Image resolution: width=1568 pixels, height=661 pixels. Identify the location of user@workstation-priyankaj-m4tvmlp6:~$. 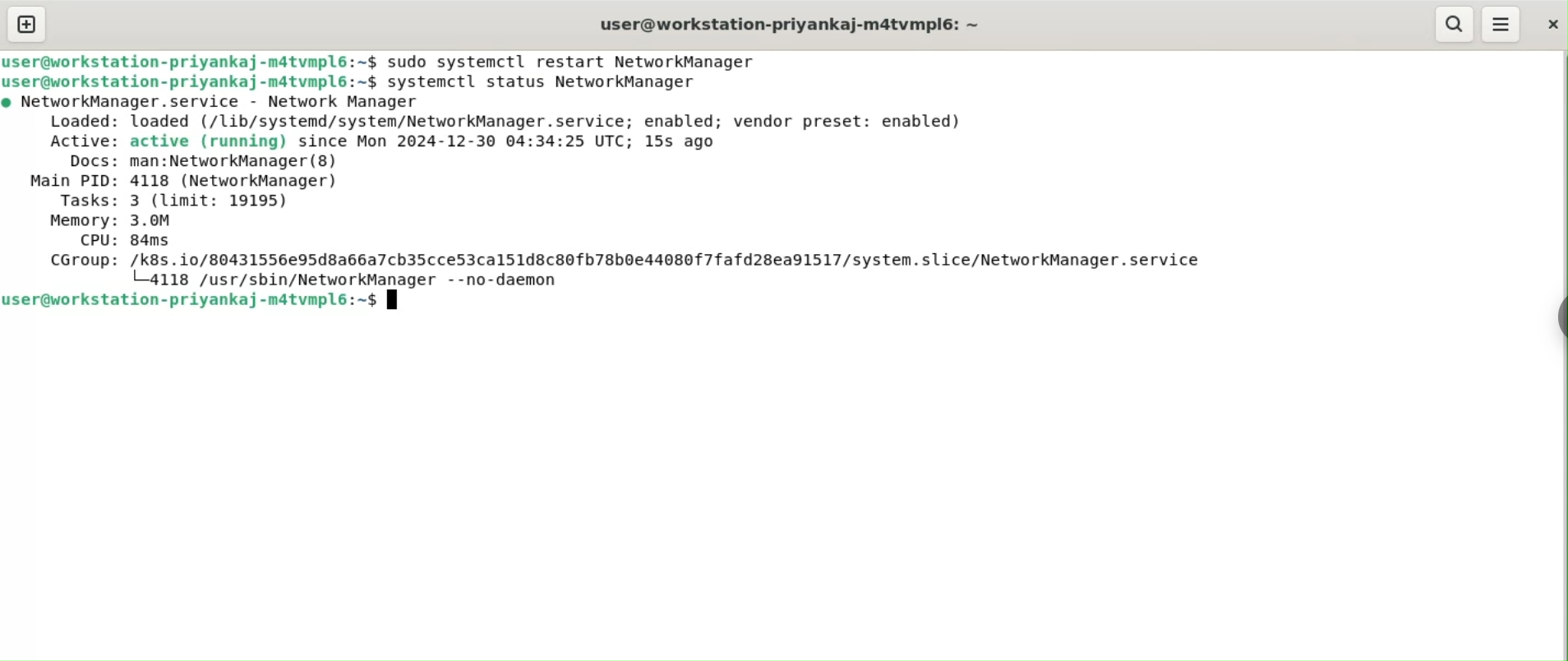
(190, 62).